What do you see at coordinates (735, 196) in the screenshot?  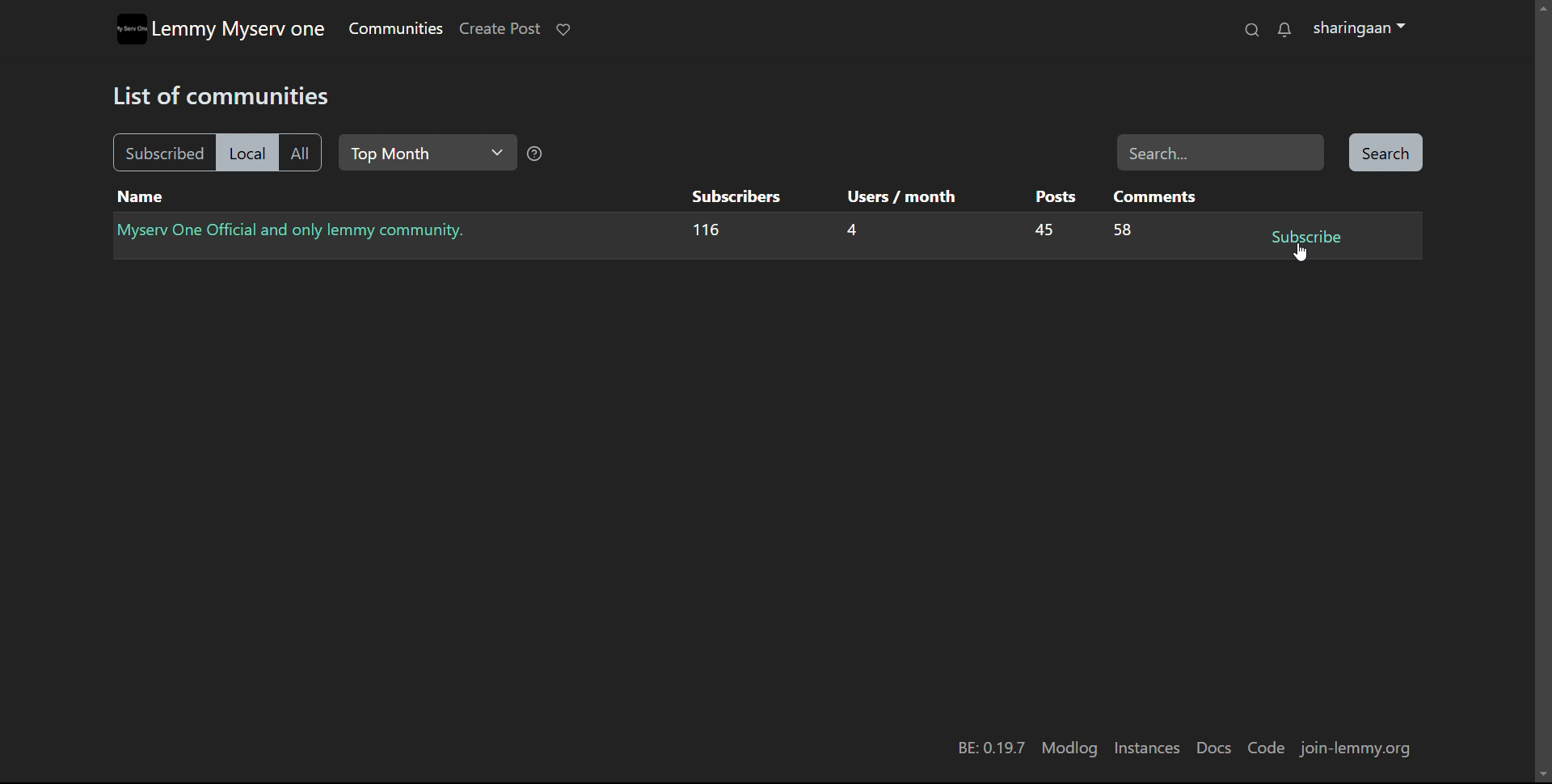 I see `subscribers` at bounding box center [735, 196].